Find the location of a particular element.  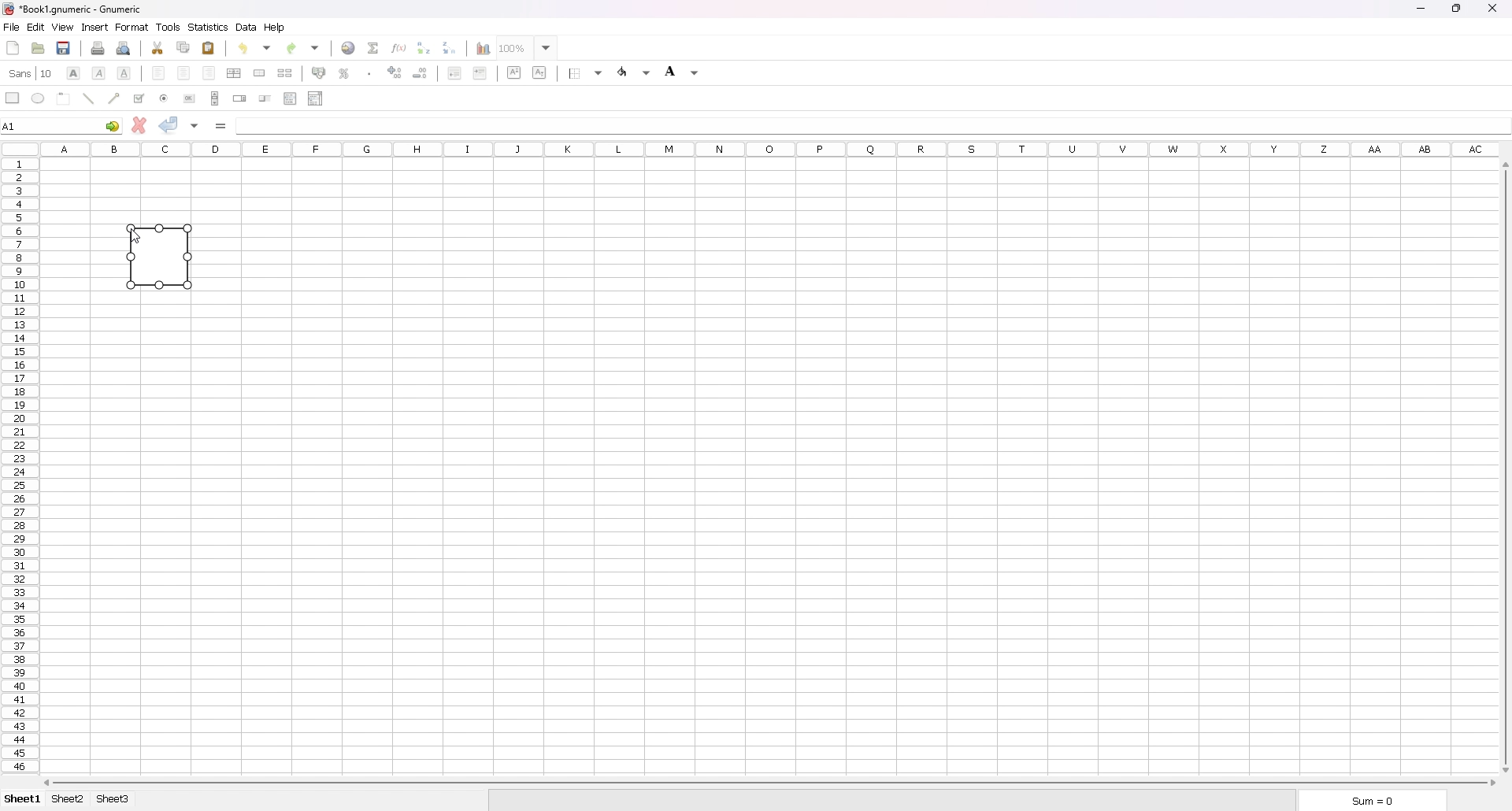

scroll bar is located at coordinates (770, 783).